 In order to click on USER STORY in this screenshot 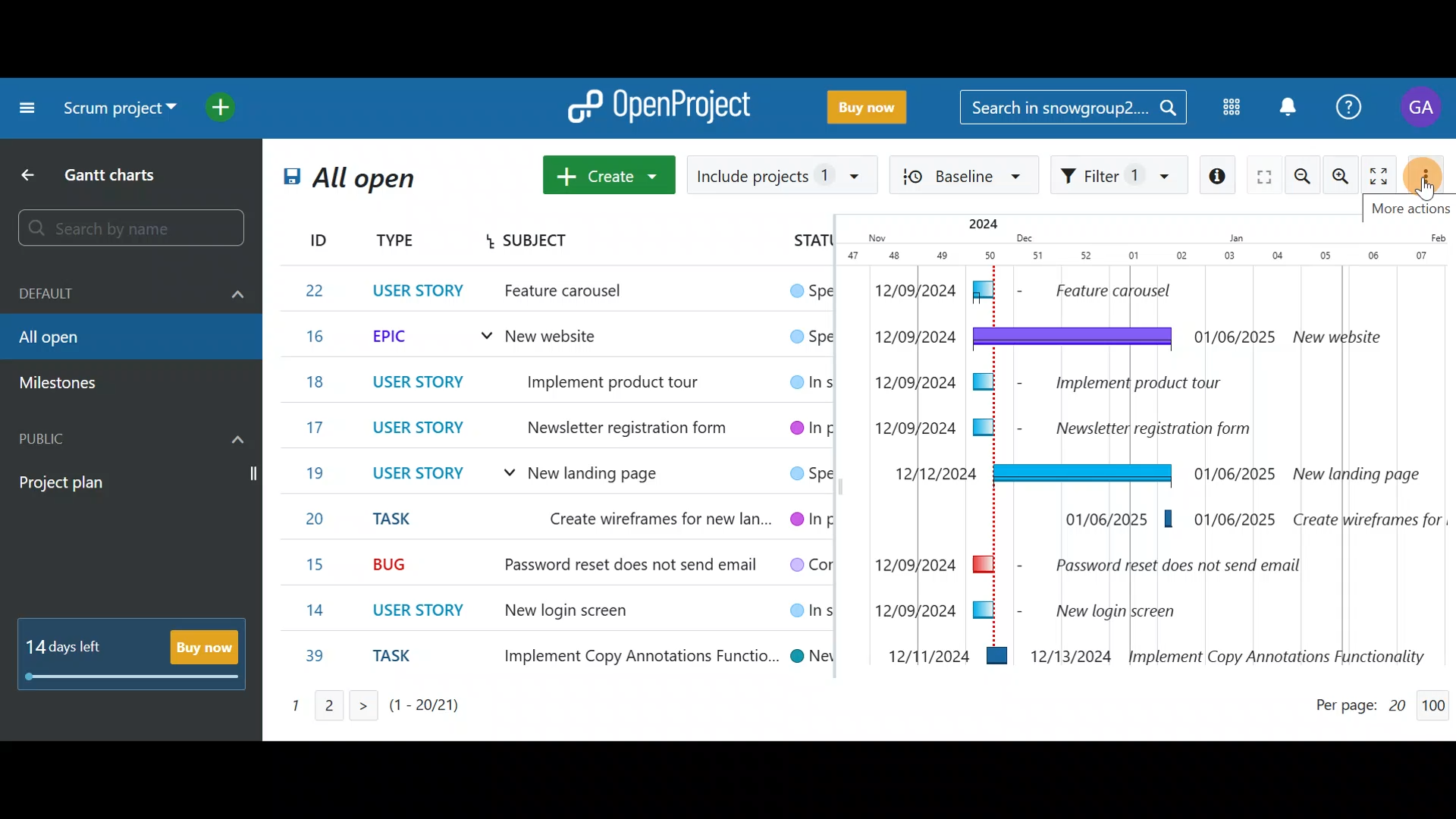, I will do `click(426, 610)`.